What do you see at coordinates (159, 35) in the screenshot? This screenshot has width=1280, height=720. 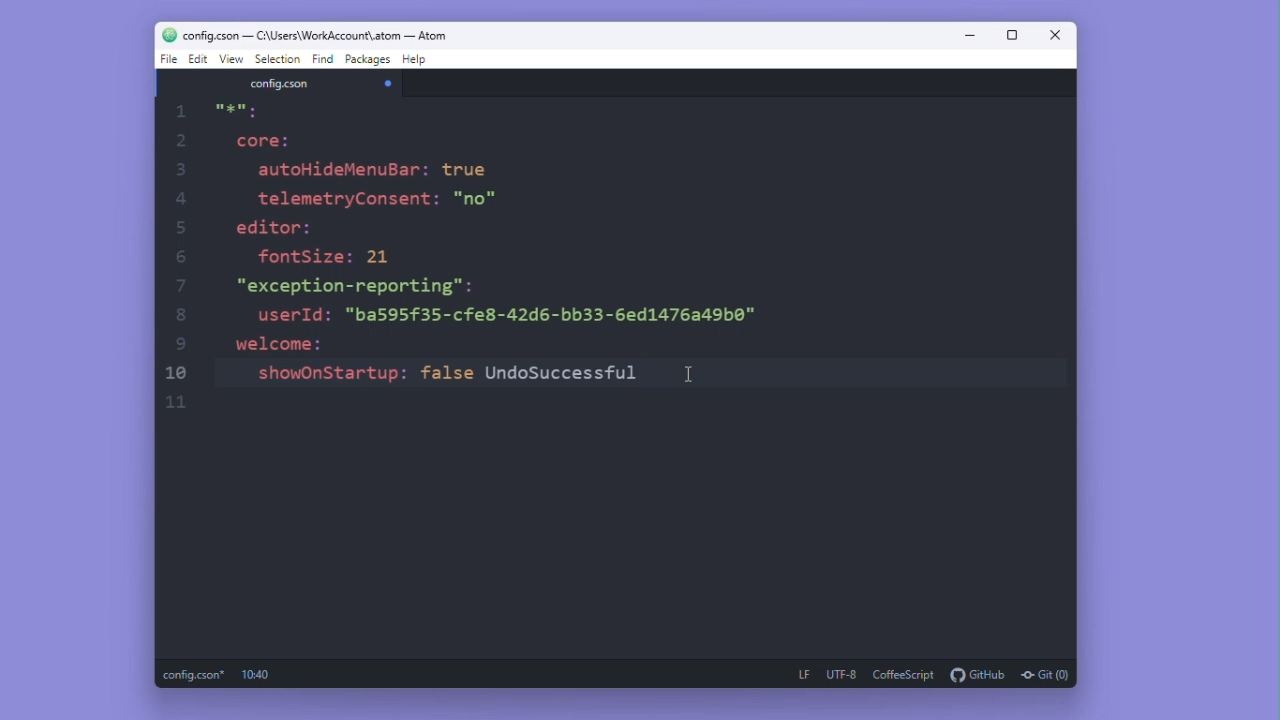 I see `logo` at bounding box center [159, 35].